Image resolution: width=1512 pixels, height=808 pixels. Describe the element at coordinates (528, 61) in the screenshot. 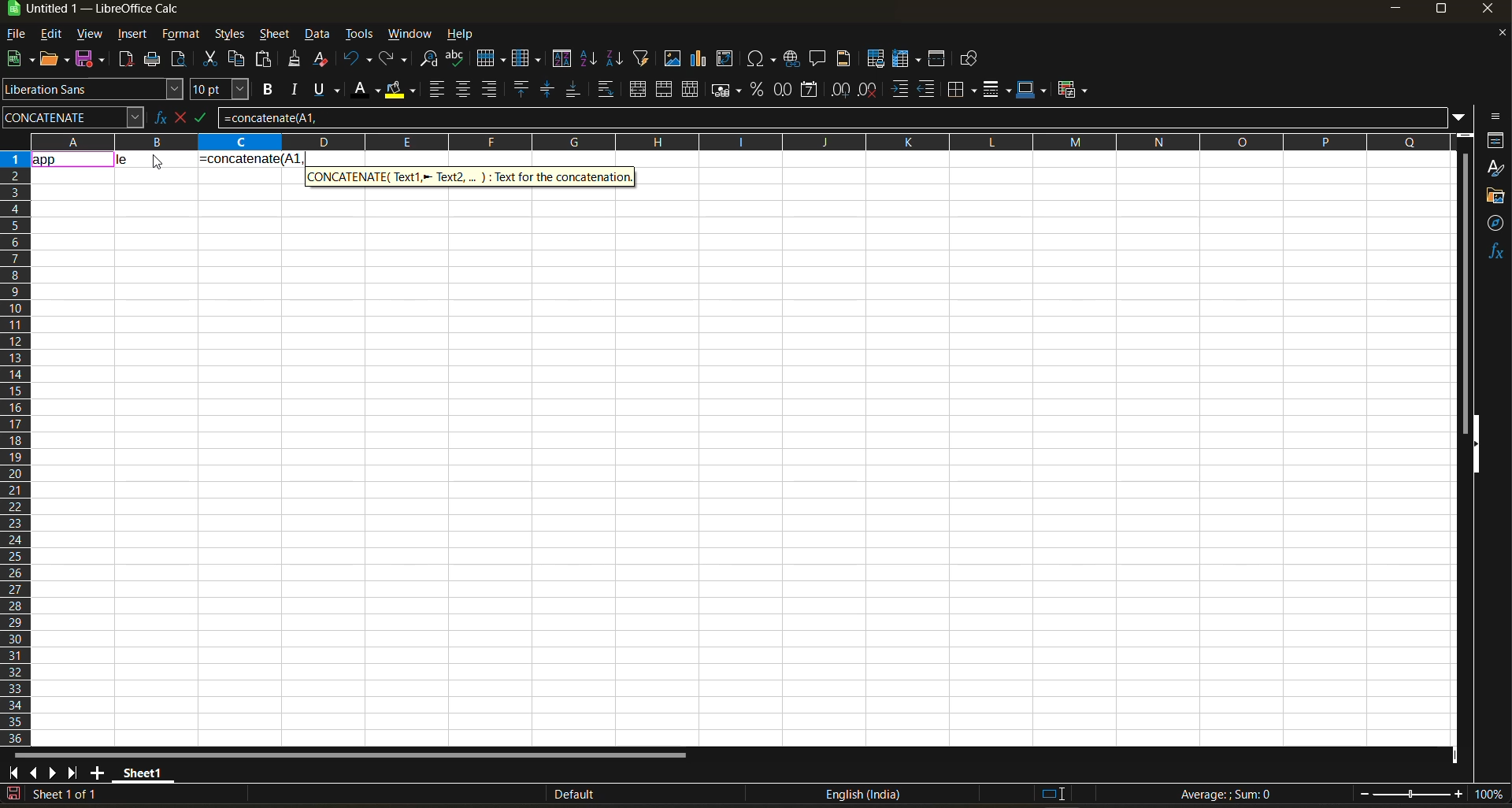

I see `column` at that location.